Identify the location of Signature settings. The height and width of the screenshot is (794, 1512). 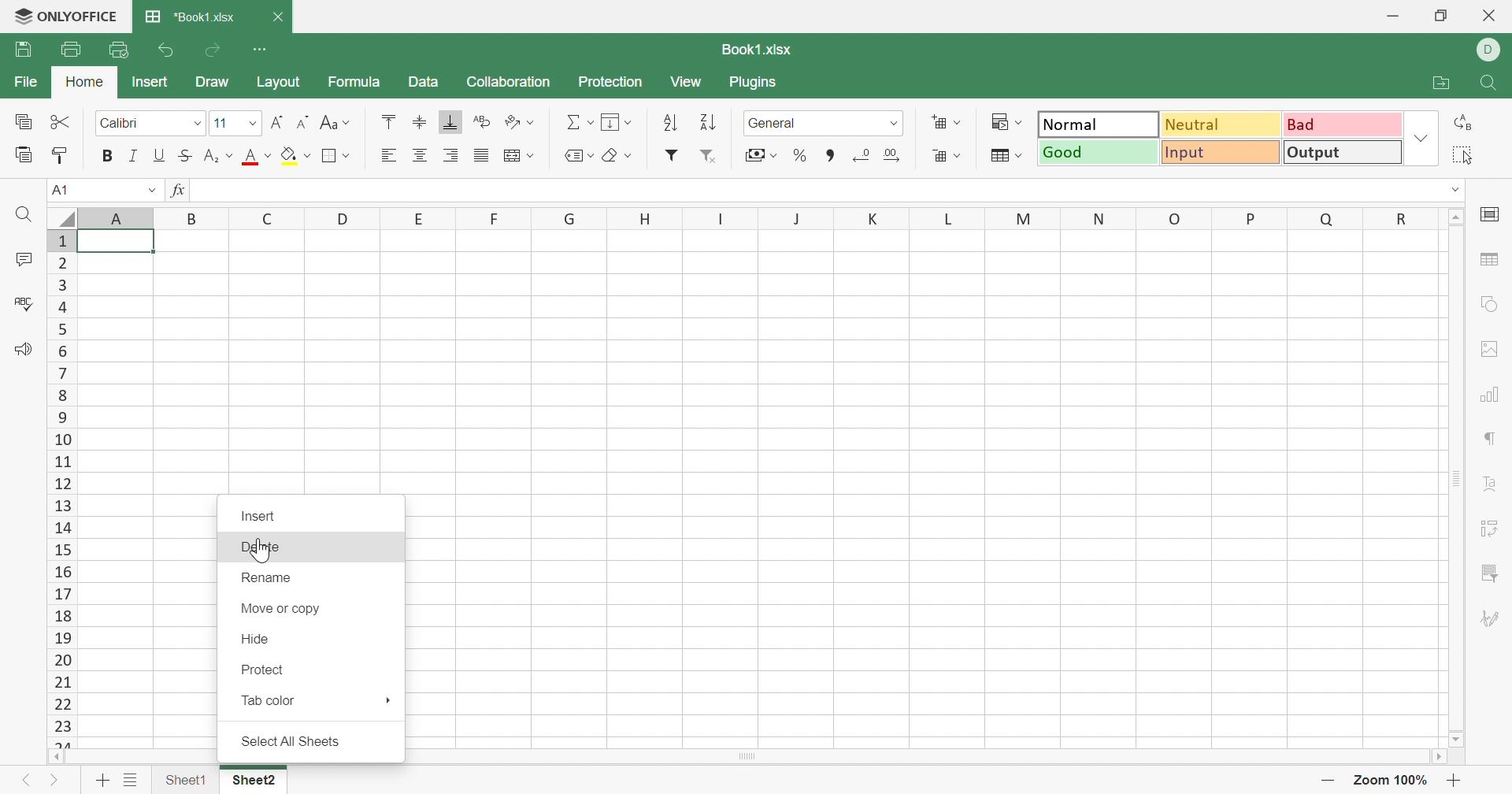
(1491, 617).